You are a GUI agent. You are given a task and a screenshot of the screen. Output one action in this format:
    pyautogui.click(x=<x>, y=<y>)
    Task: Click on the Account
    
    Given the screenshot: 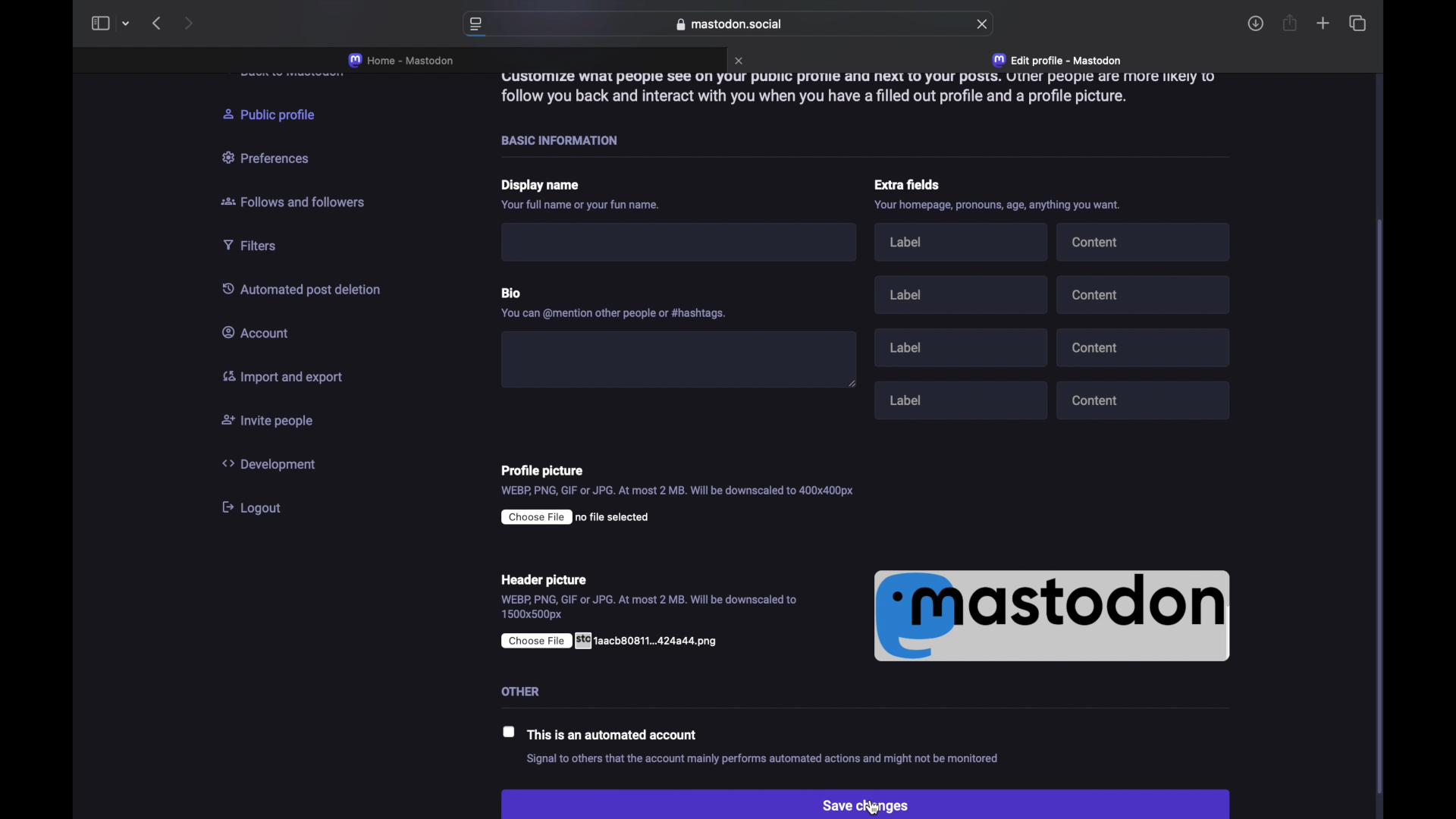 What is the action you would take?
    pyautogui.click(x=258, y=332)
    